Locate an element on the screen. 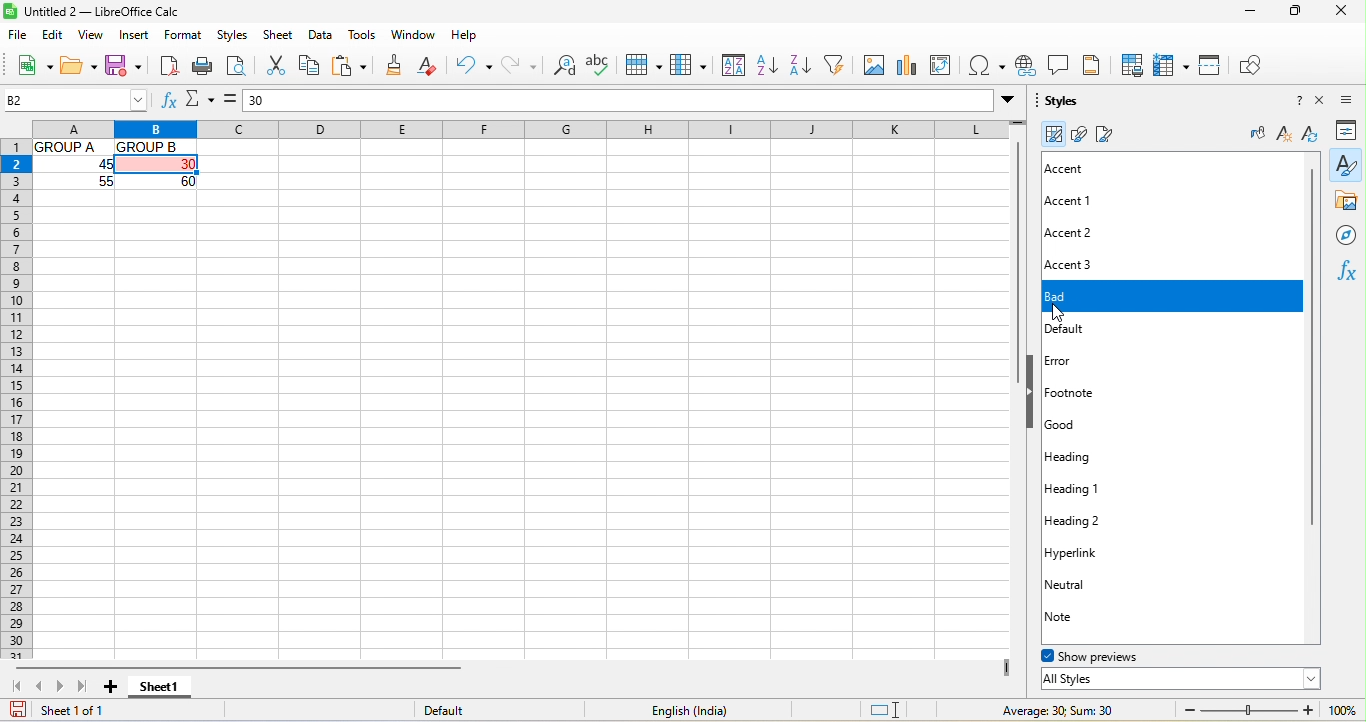 Image resolution: width=1366 pixels, height=722 pixels. close is located at coordinates (1346, 12).